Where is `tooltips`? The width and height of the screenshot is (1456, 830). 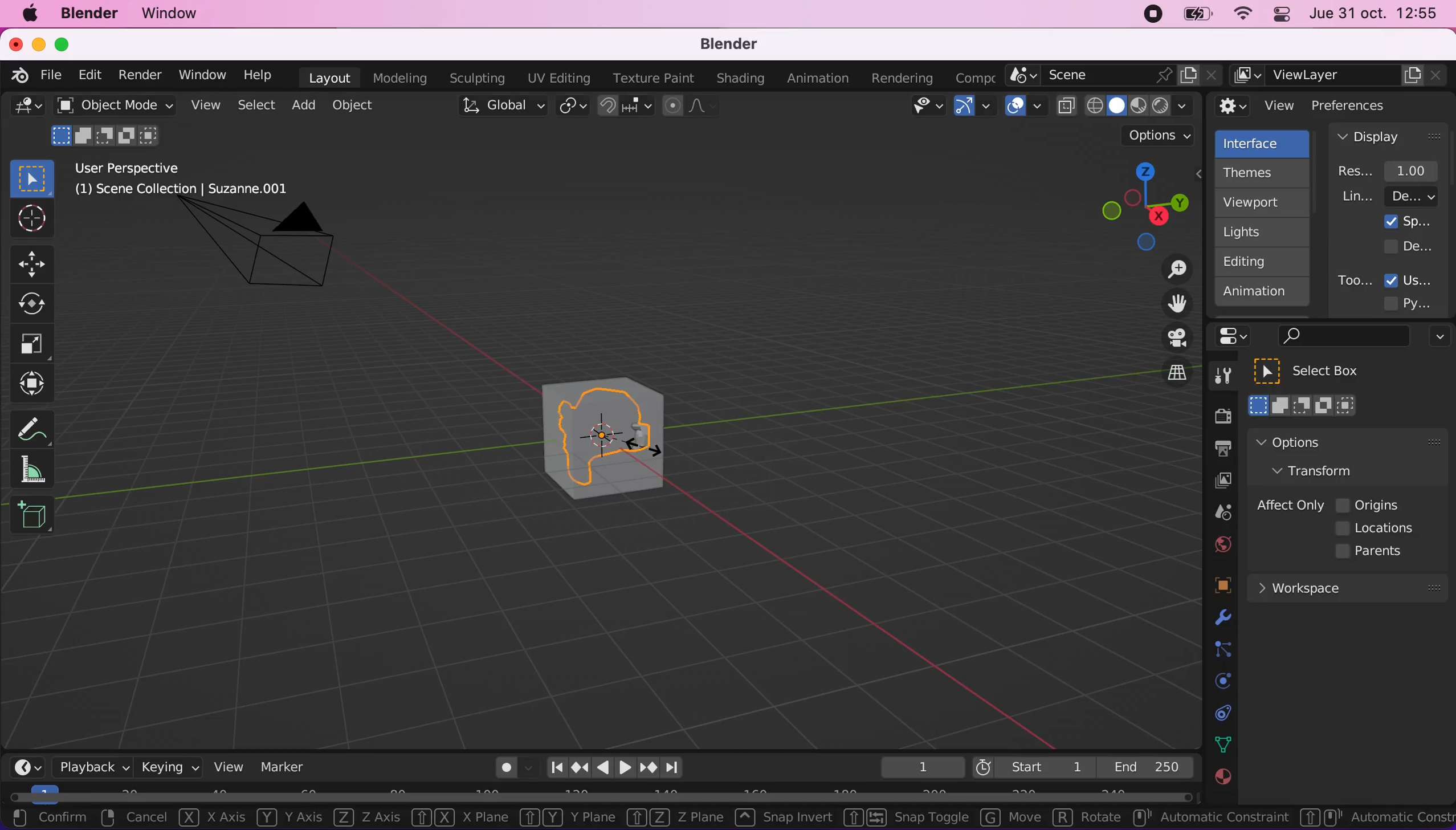
tooltips is located at coordinates (1354, 280).